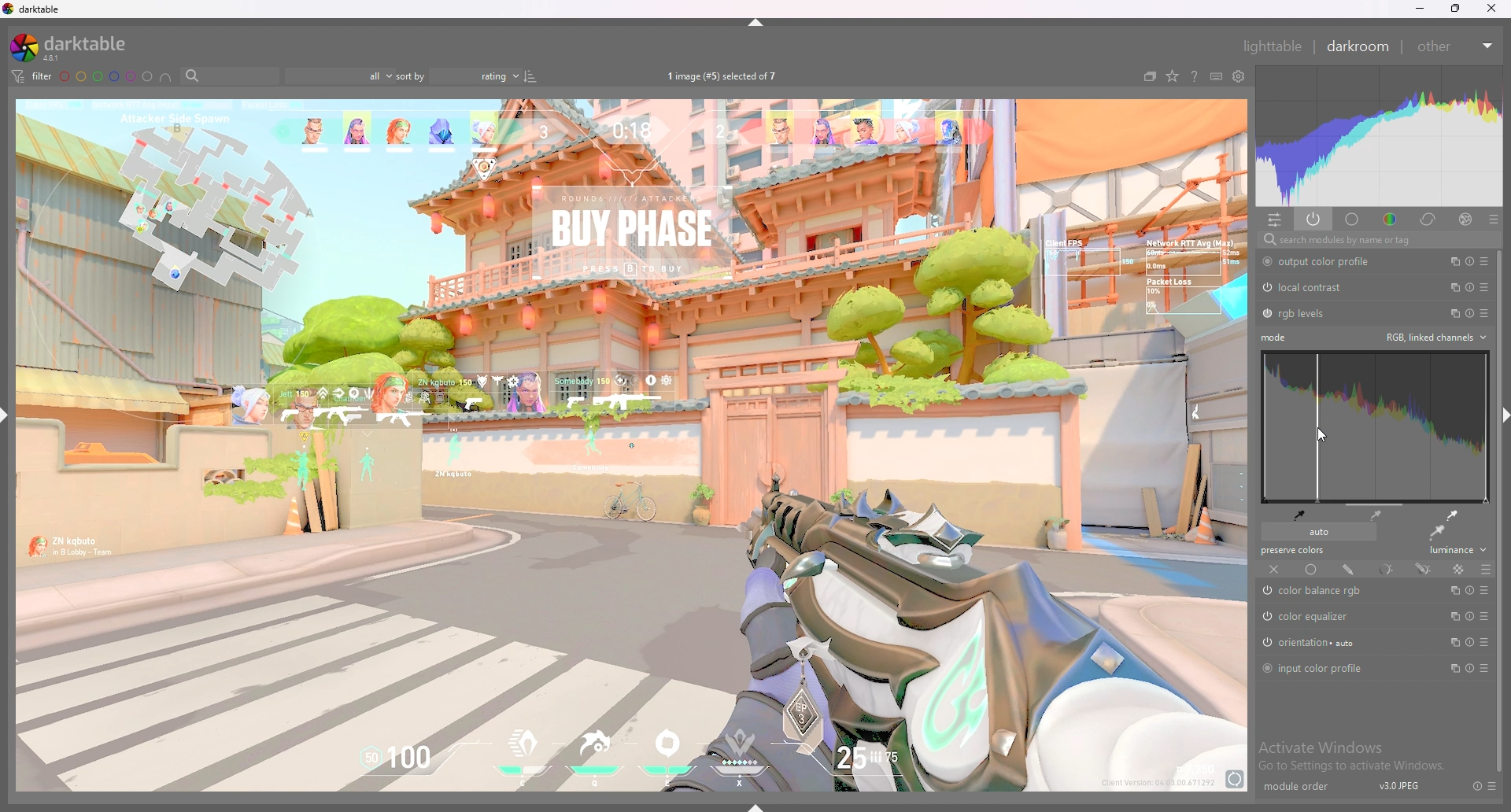 The height and width of the screenshot is (812, 1511). I want to click on Switched on, so click(1264, 643).